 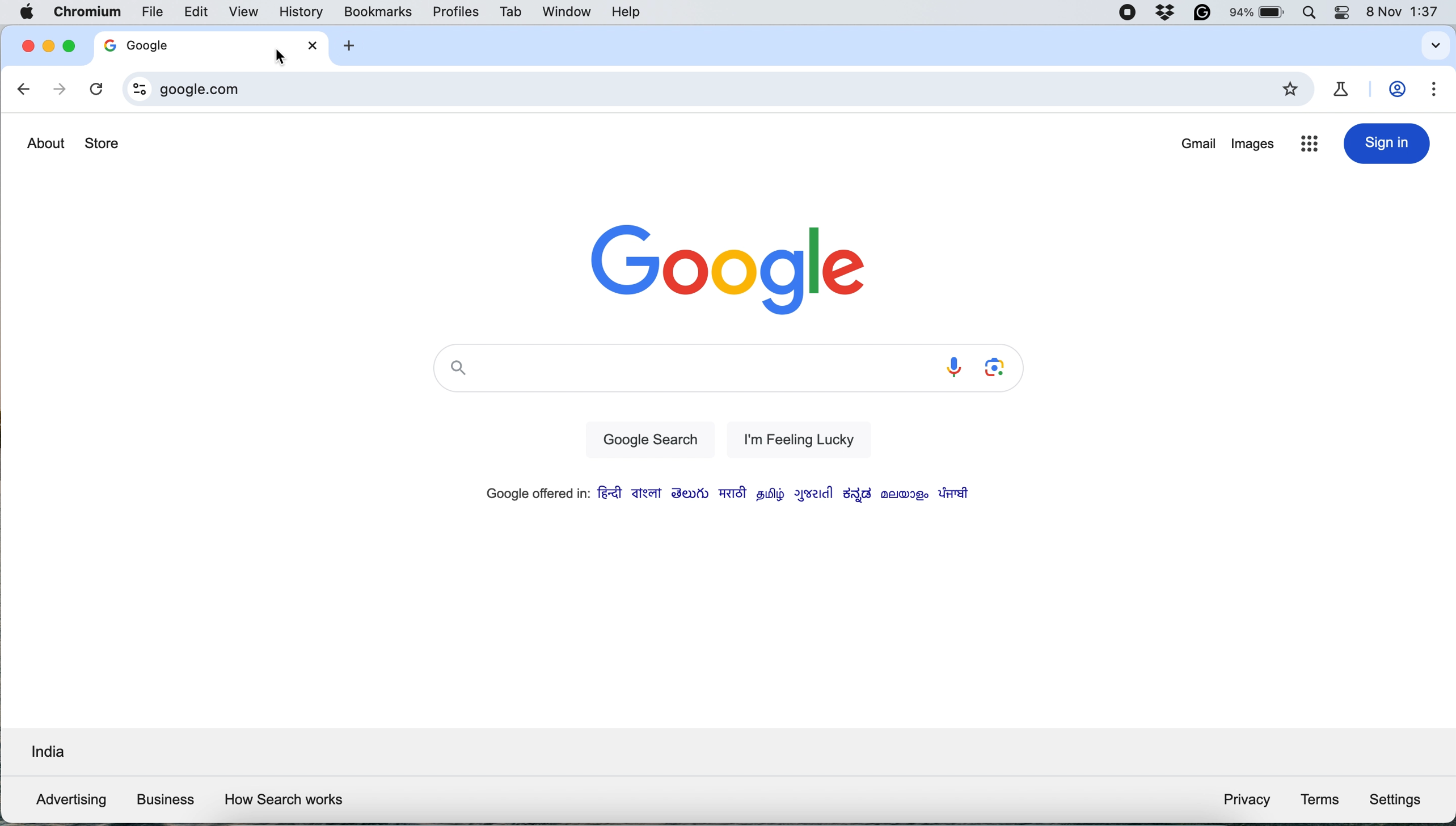 What do you see at coordinates (1201, 14) in the screenshot?
I see `grammarly` at bounding box center [1201, 14].